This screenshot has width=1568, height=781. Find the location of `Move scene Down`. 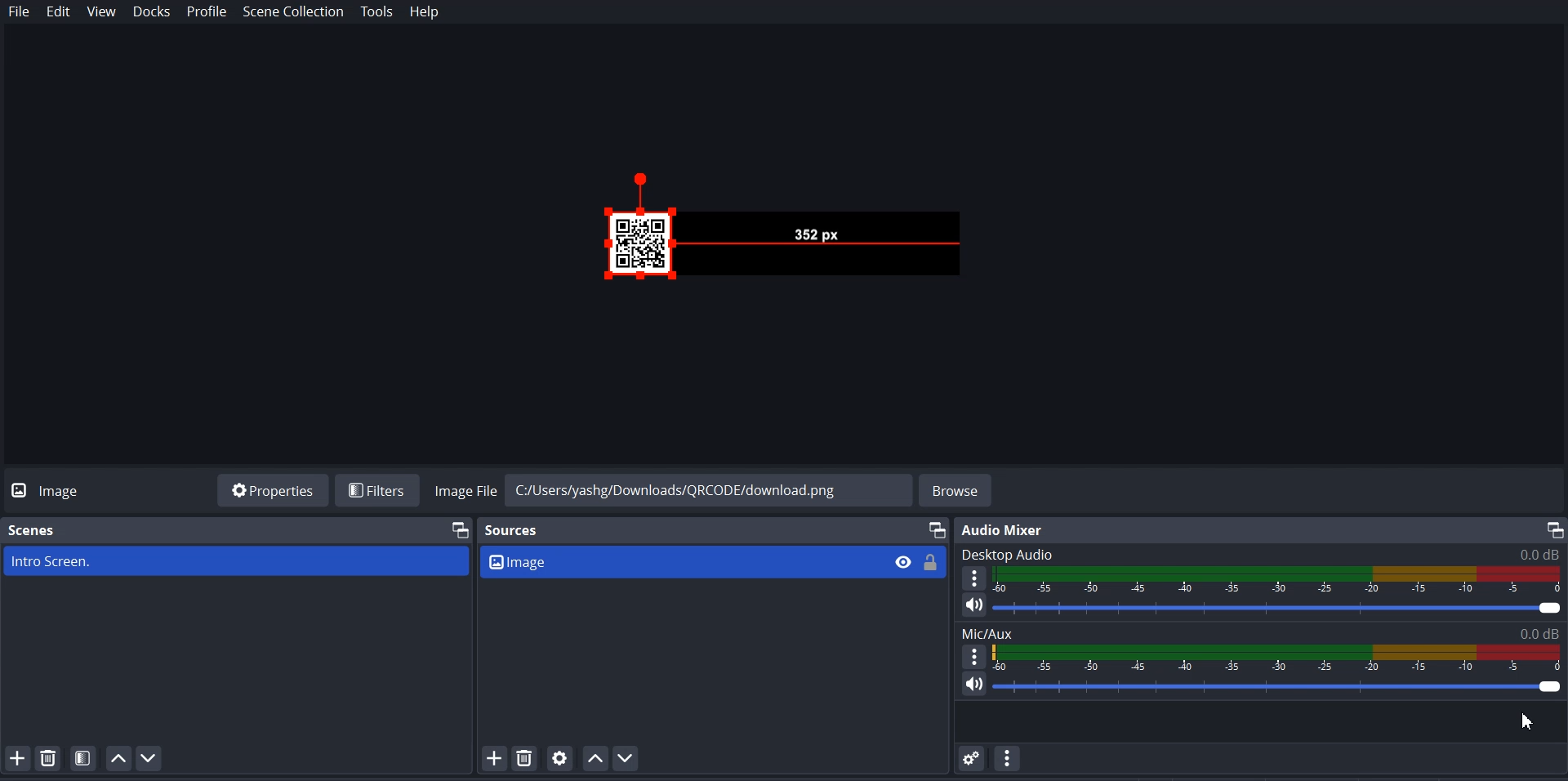

Move scene Down is located at coordinates (149, 757).